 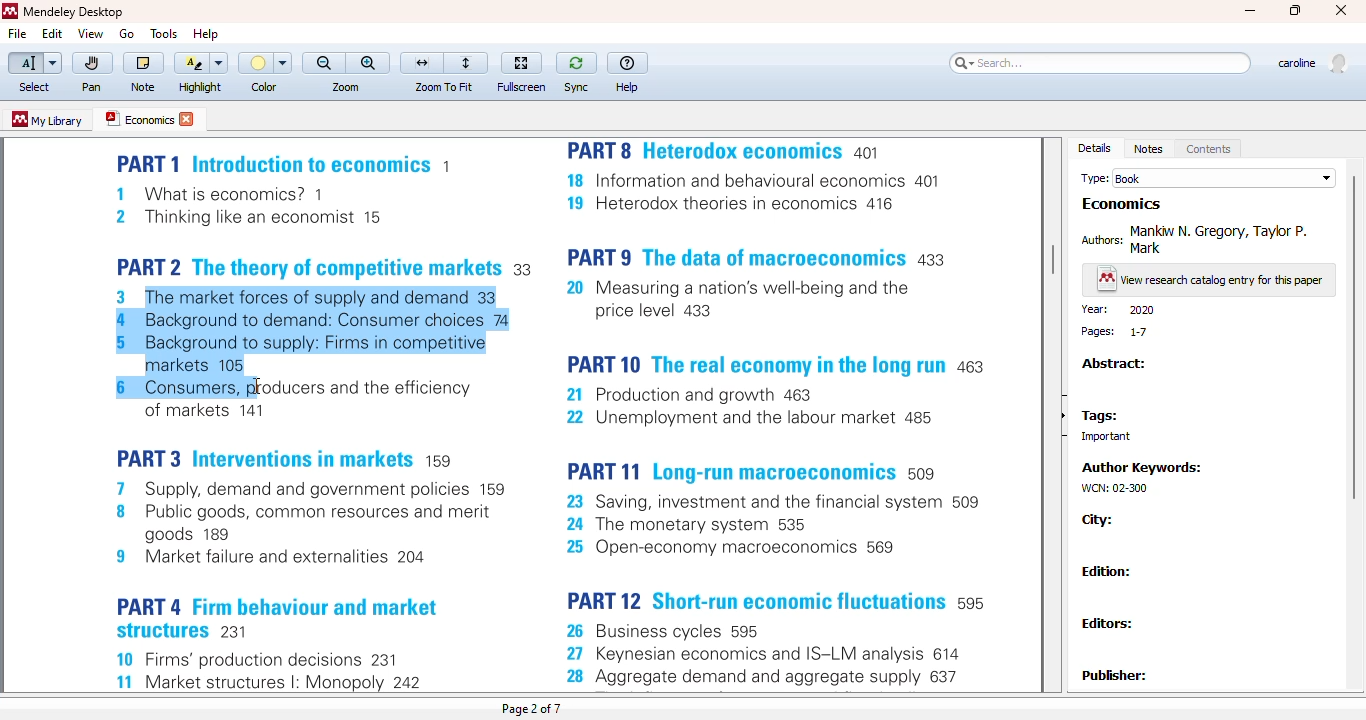 I want to click on mendeley desktop, so click(x=74, y=12).